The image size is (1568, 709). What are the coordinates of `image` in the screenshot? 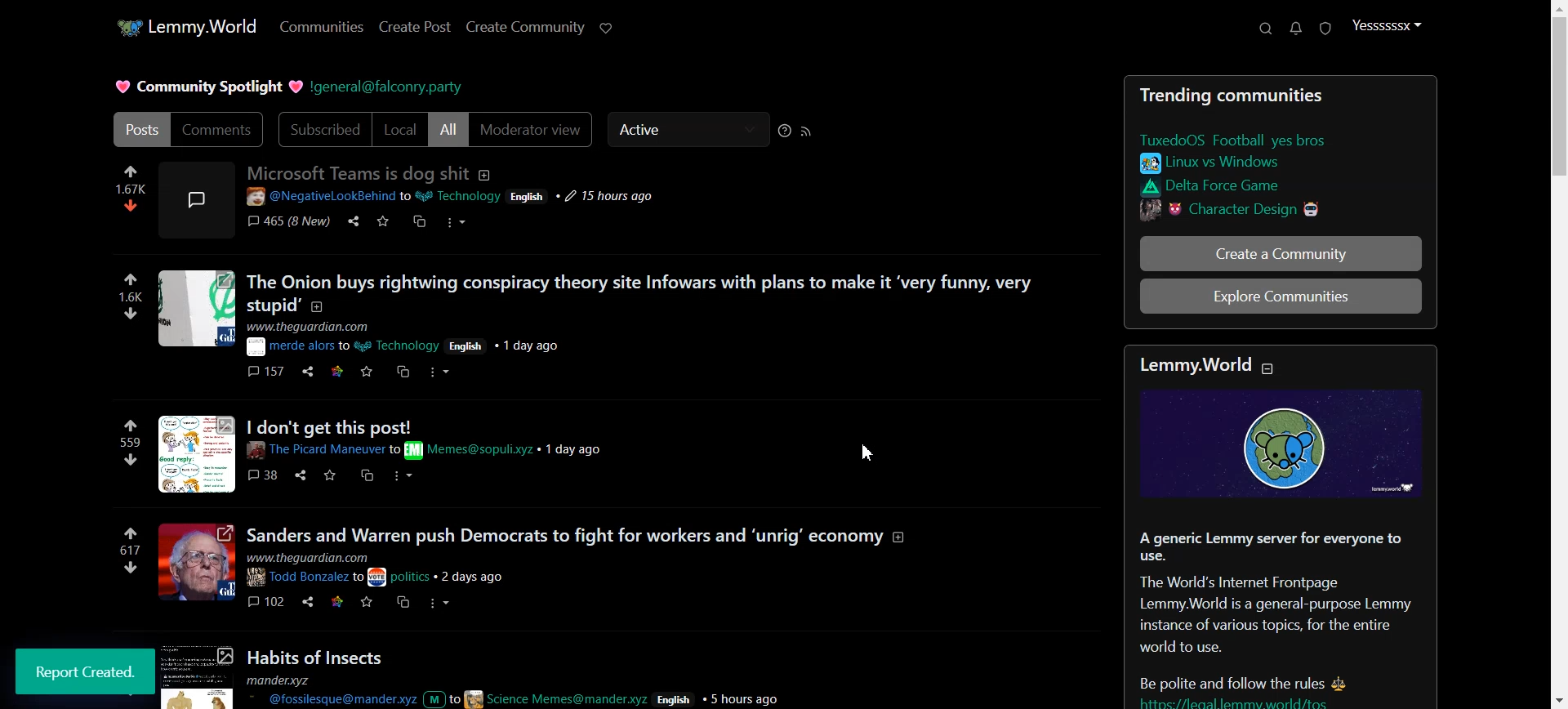 It's located at (194, 676).